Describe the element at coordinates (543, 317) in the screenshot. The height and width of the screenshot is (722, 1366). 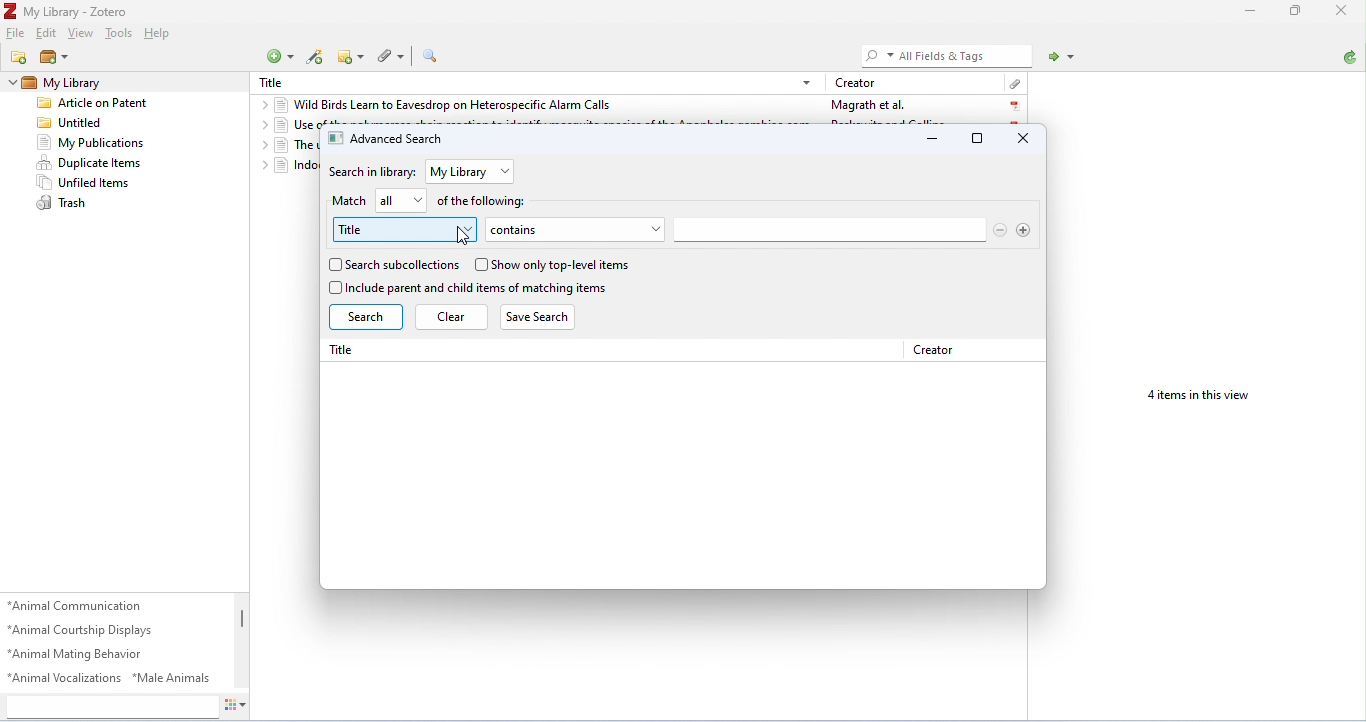
I see `save search` at that location.